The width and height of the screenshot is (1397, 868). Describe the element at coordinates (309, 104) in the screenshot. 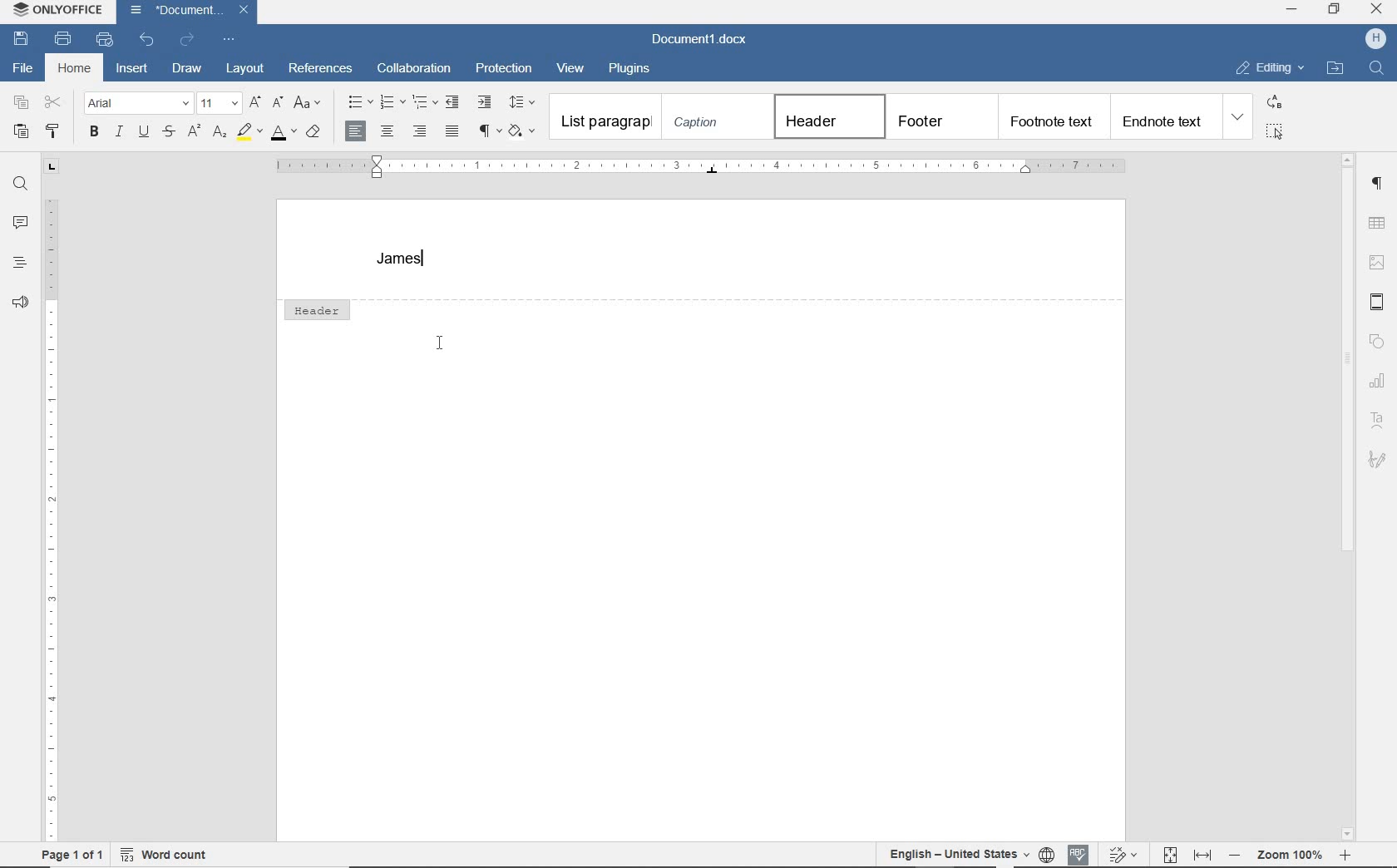

I see `change case` at that location.